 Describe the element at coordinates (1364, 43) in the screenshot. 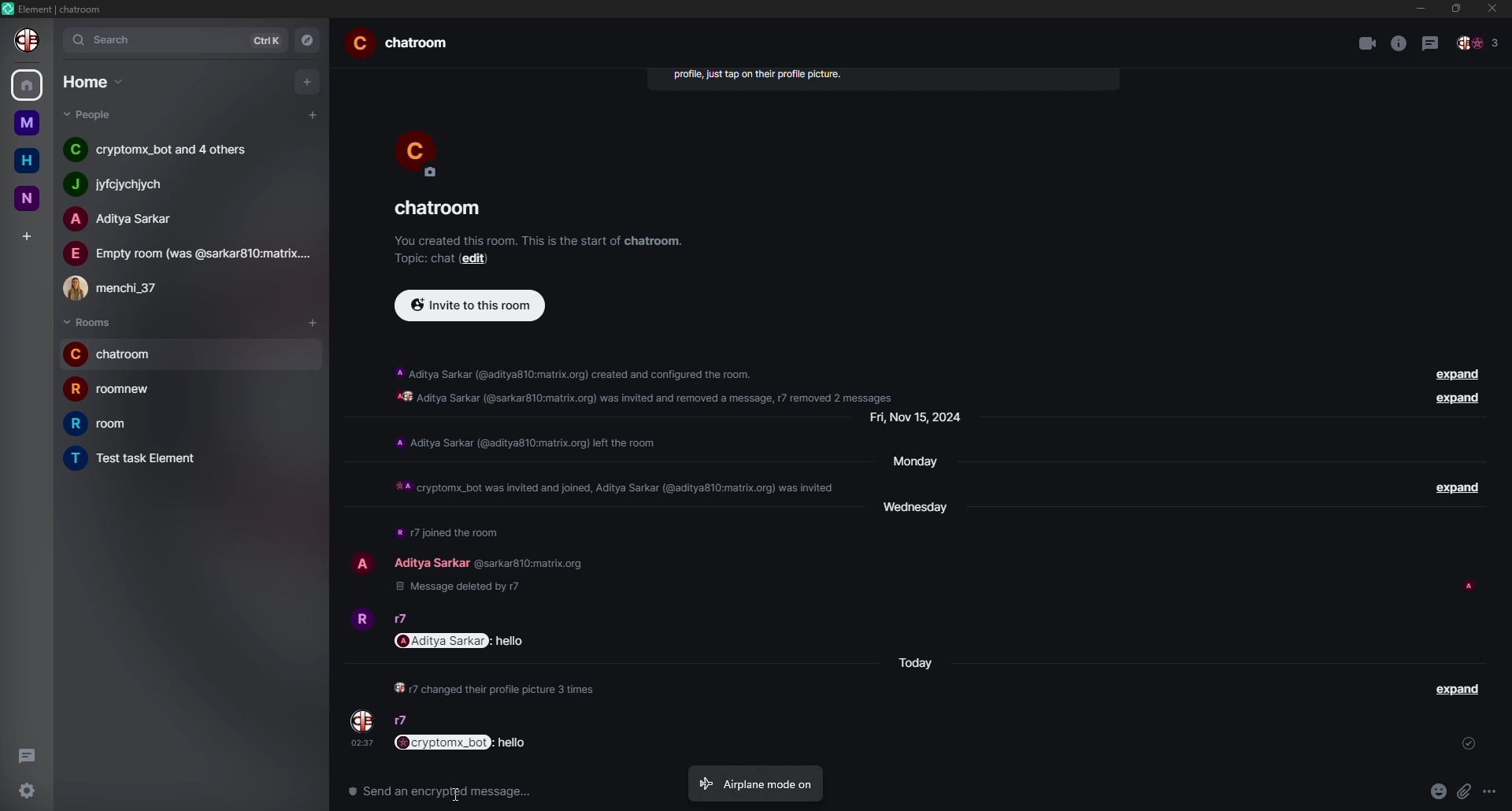

I see `video` at that location.